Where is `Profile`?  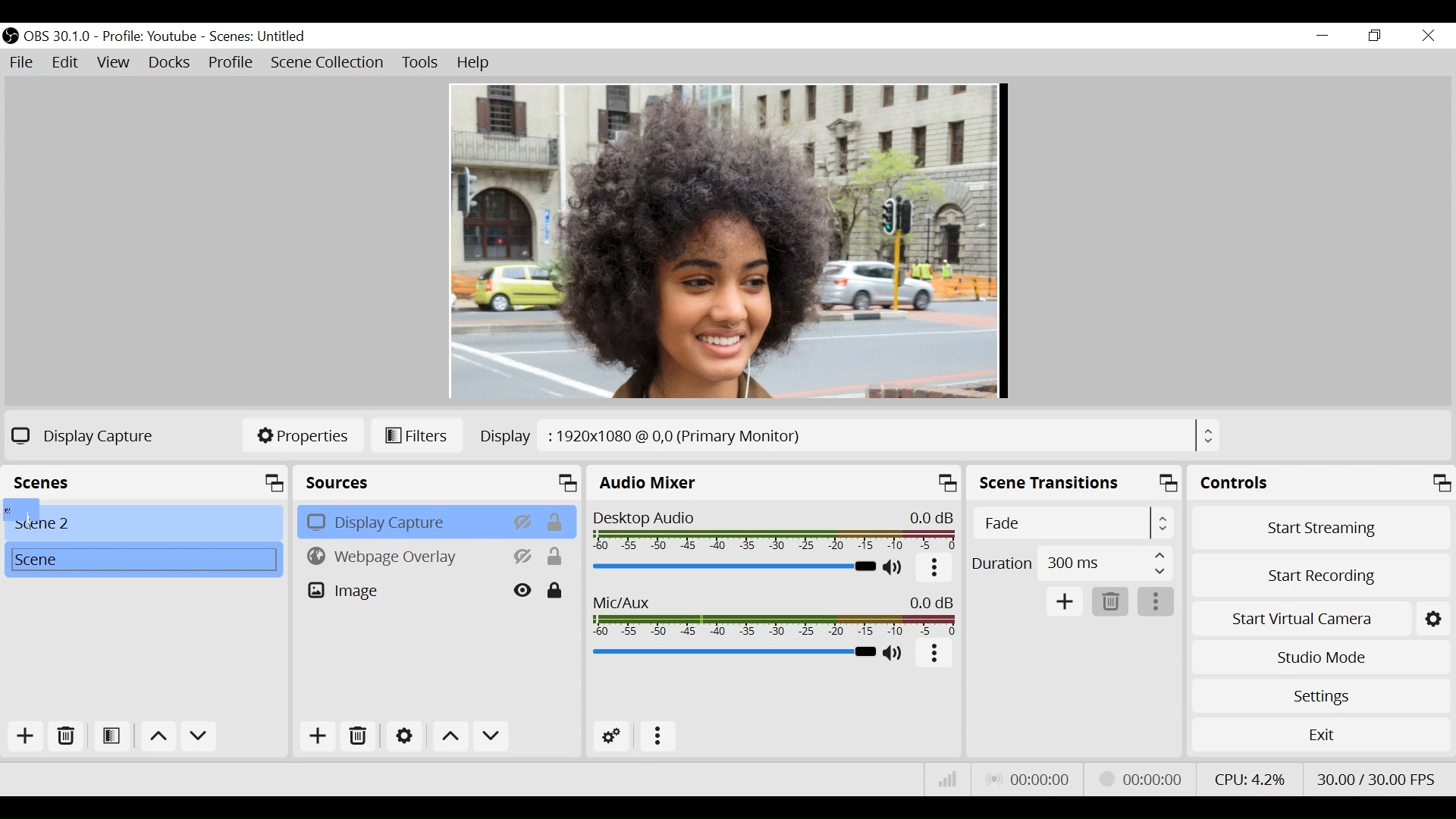 Profile is located at coordinates (231, 64).